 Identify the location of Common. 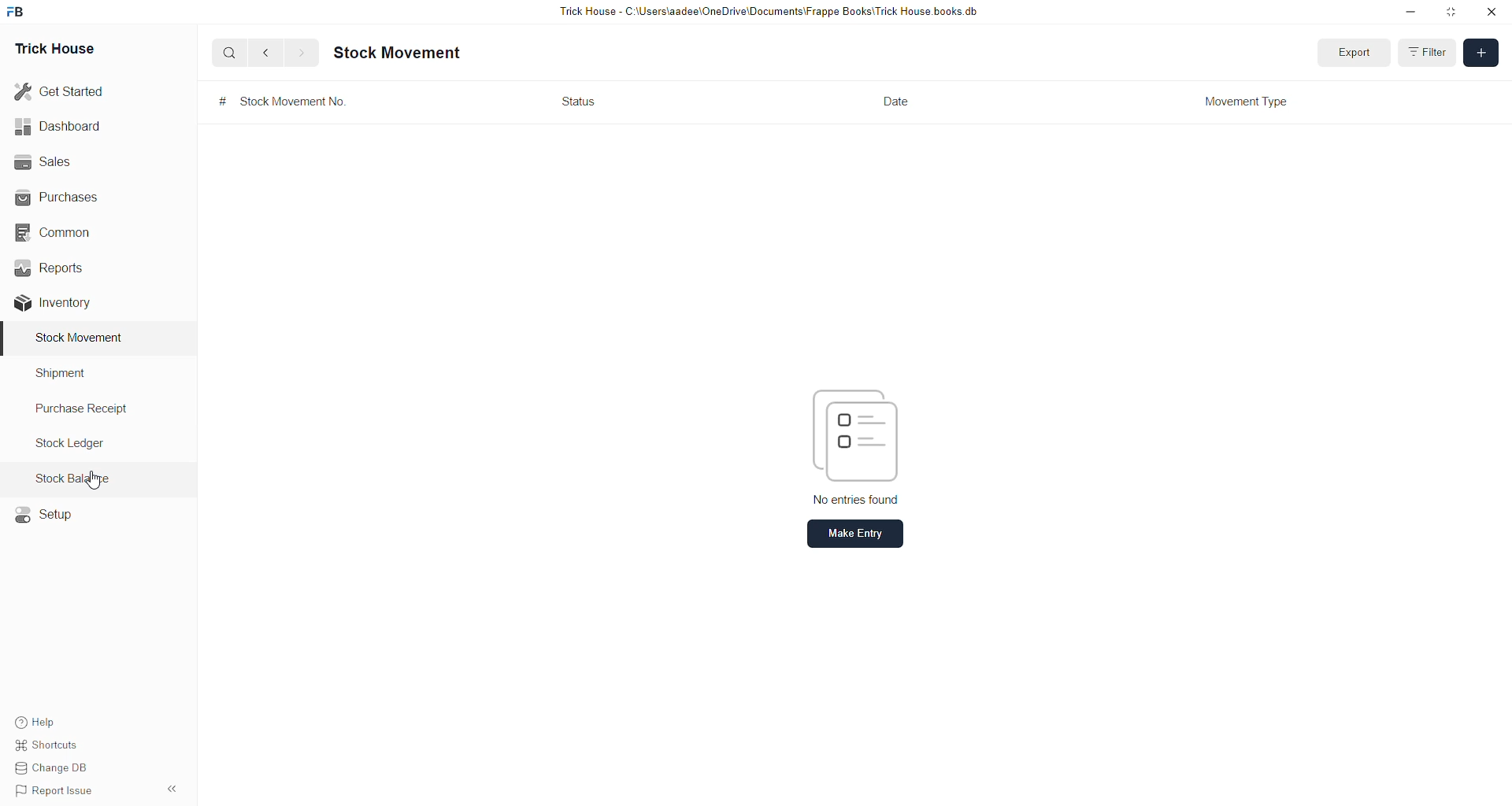
(68, 235).